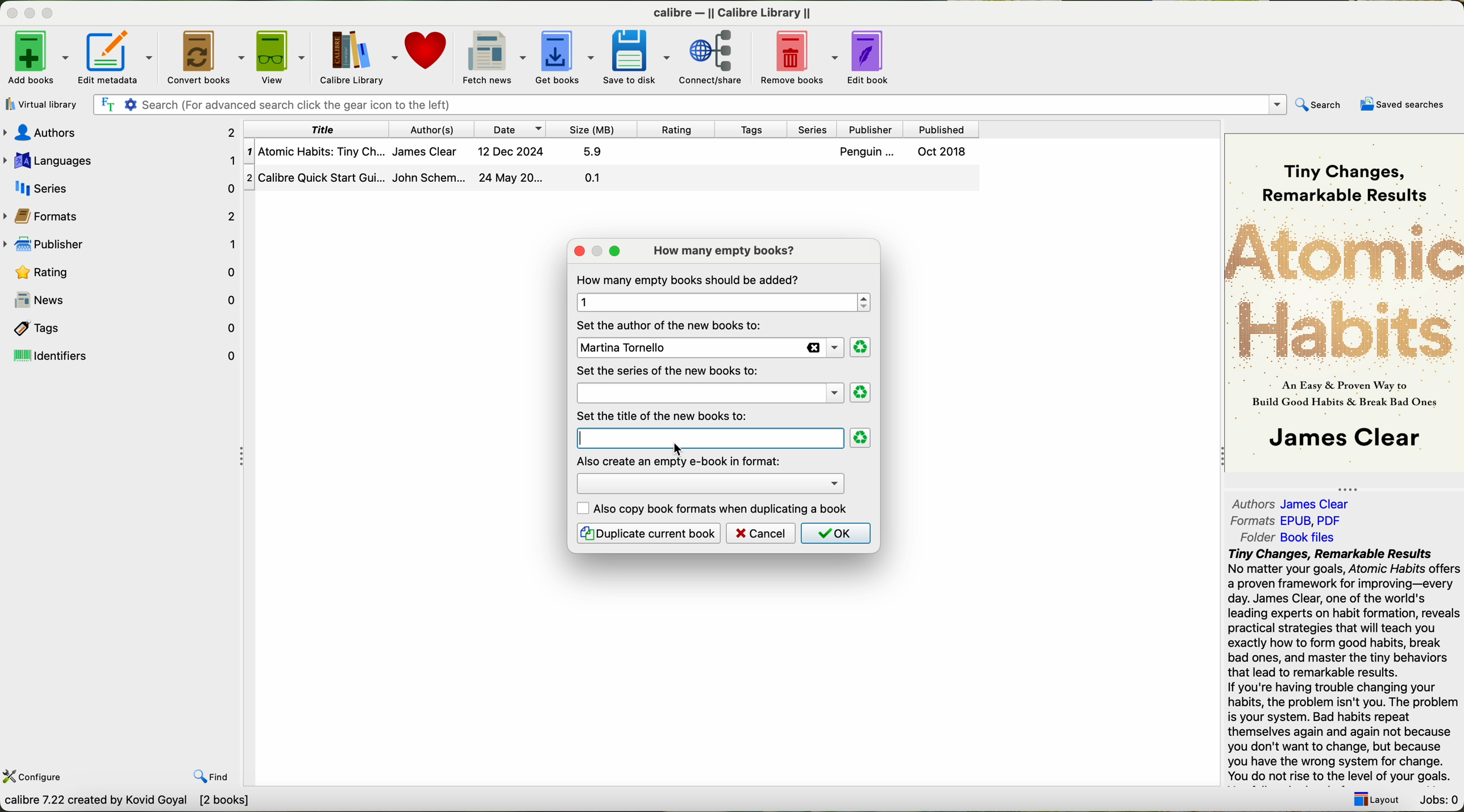  Describe the element at coordinates (1376, 800) in the screenshot. I see `Layout` at that location.